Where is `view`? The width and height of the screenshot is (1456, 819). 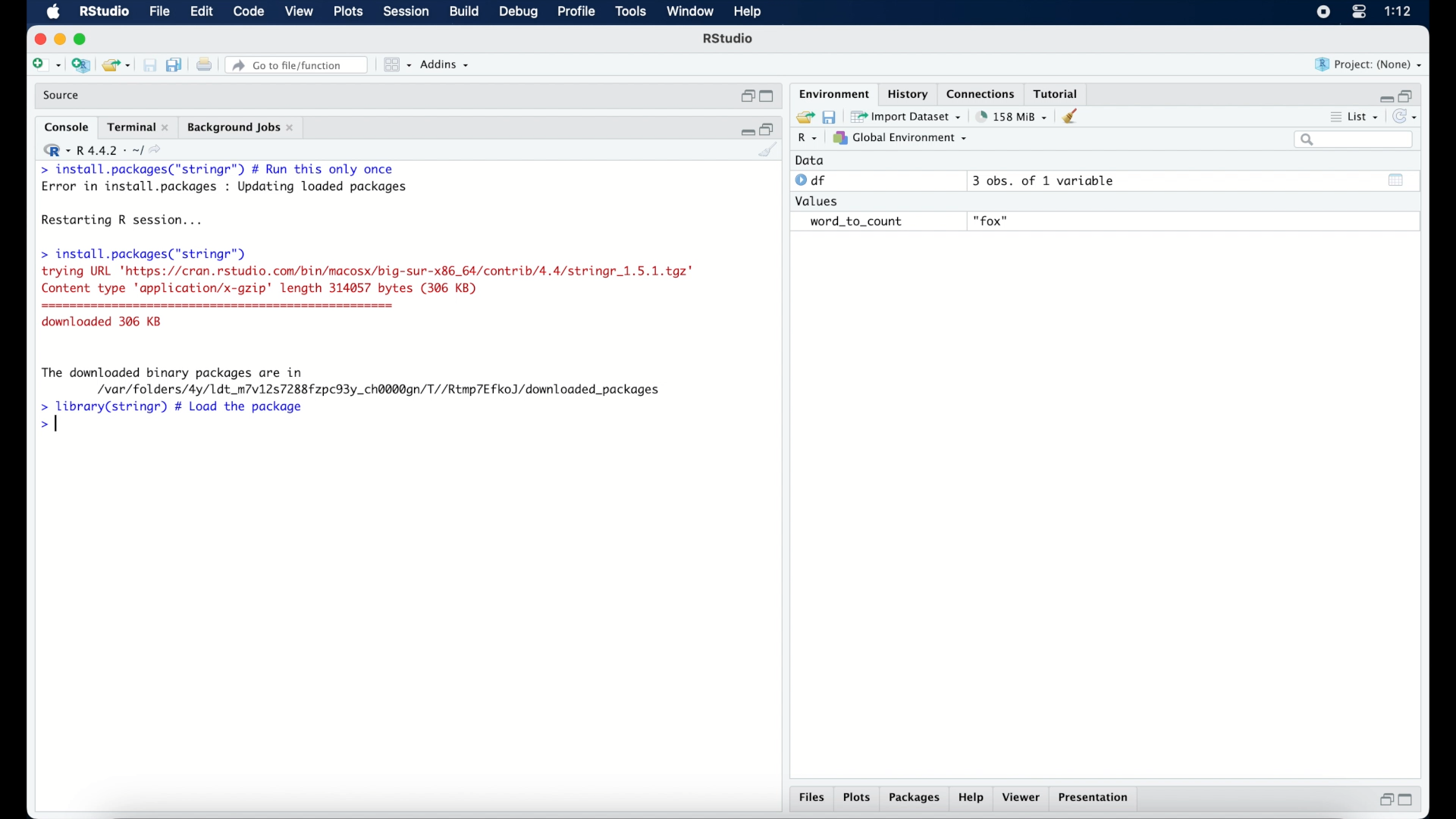
view is located at coordinates (299, 12).